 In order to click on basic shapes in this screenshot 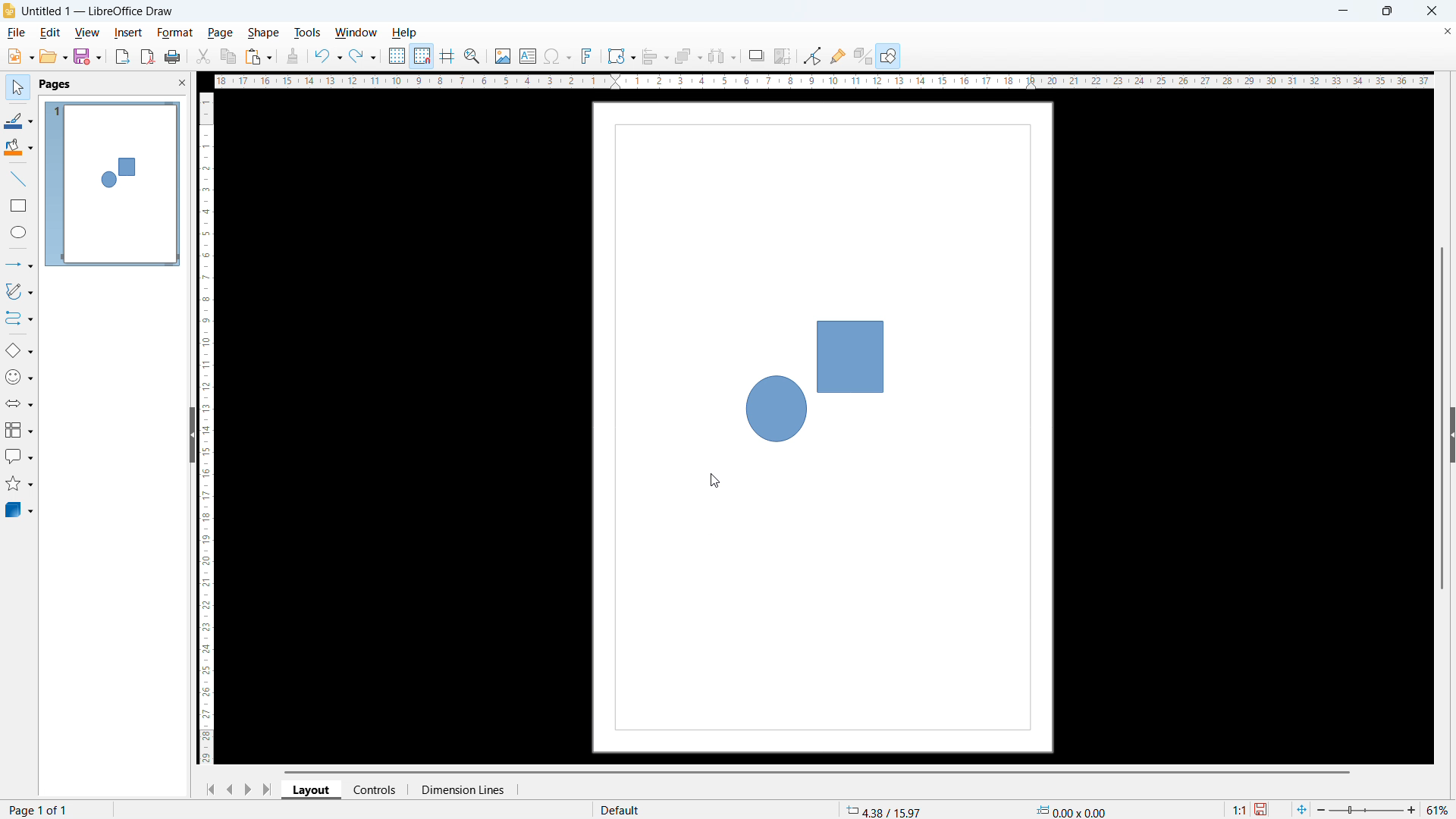, I will do `click(20, 350)`.